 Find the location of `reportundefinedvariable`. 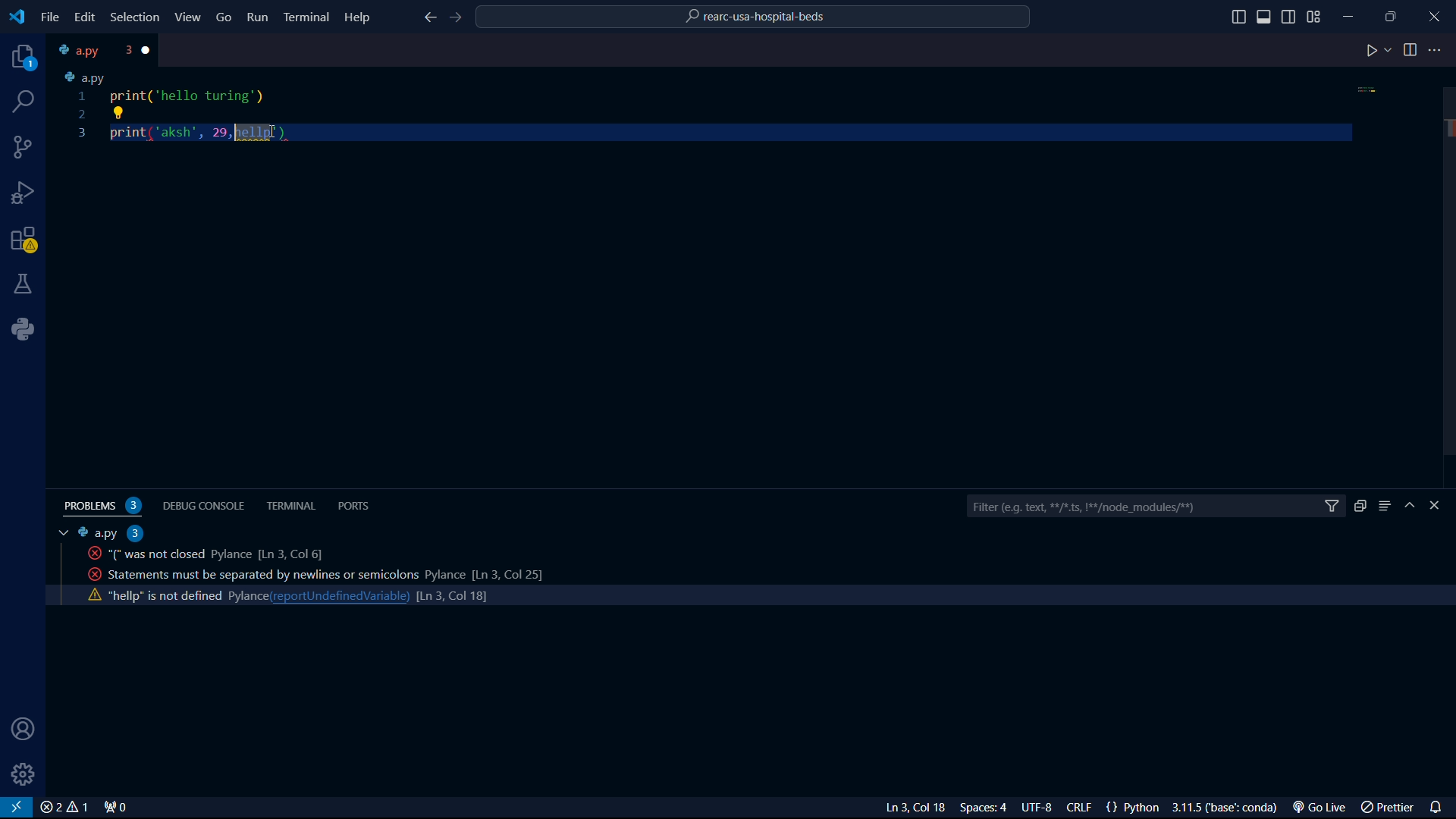

reportundefinedvariable is located at coordinates (341, 596).